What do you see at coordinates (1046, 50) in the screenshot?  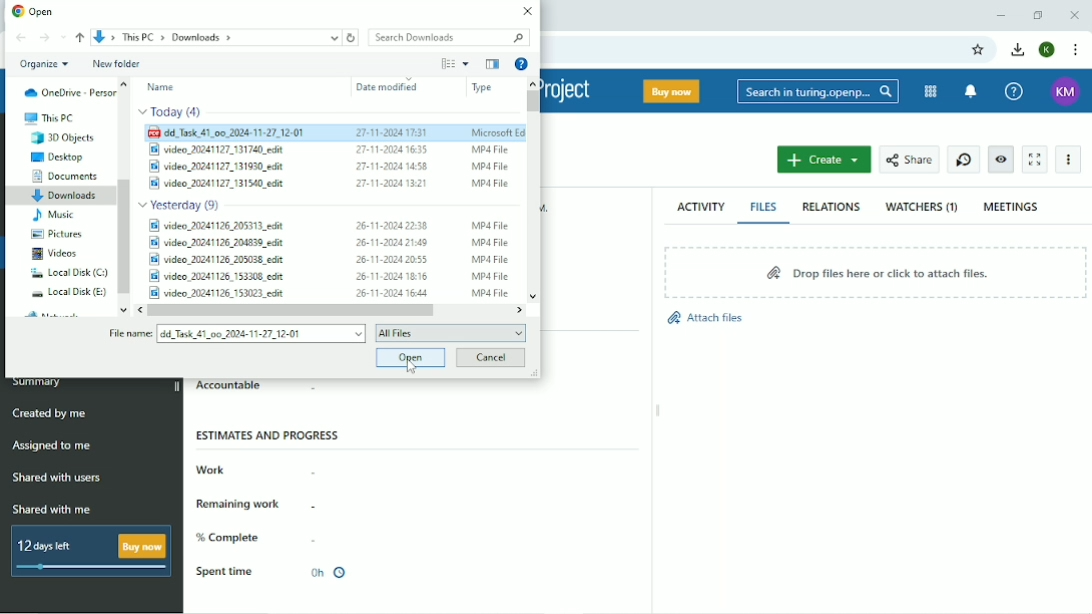 I see `K` at bounding box center [1046, 50].